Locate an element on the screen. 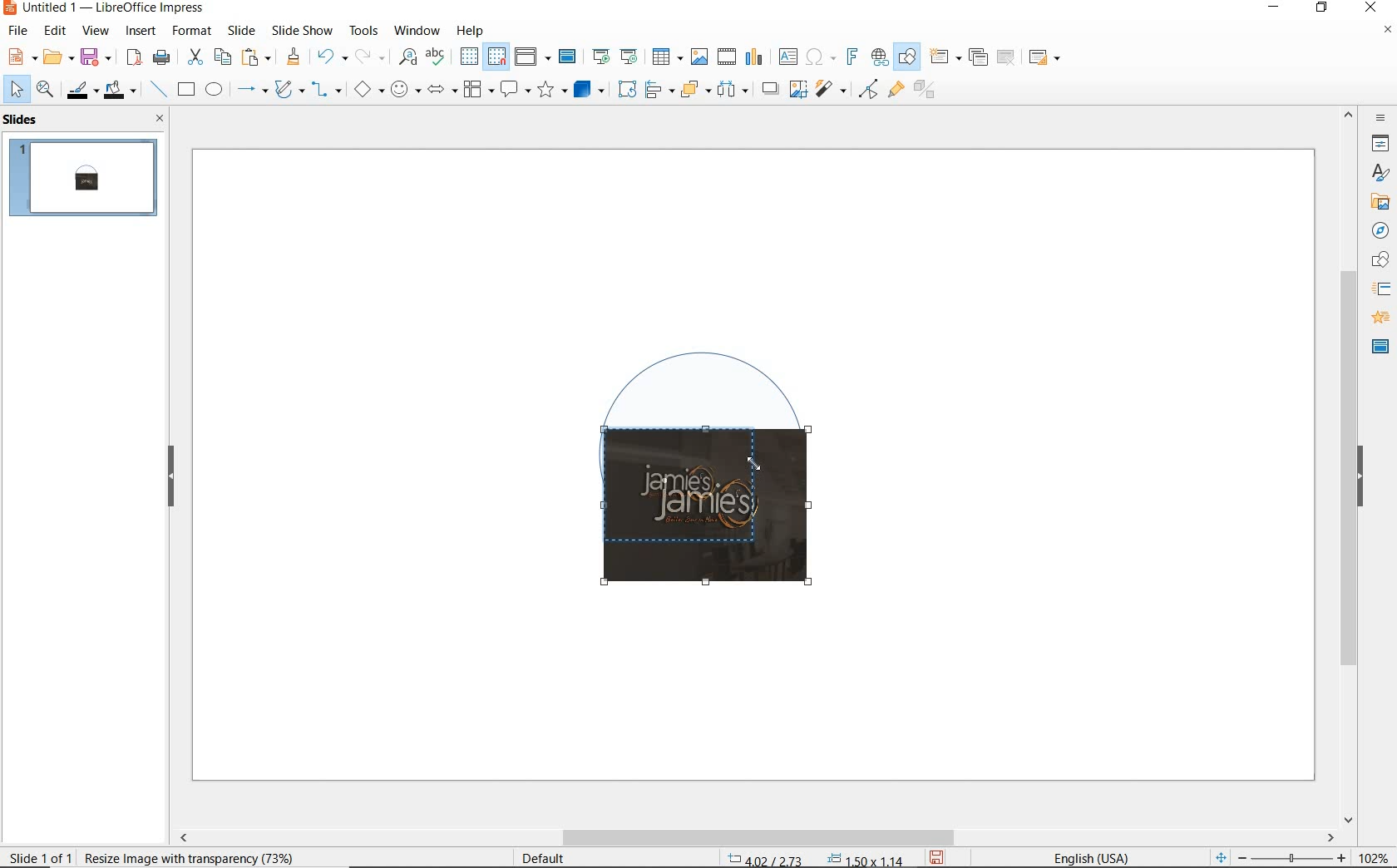 Image resolution: width=1397 pixels, height=868 pixels. animation is located at coordinates (1378, 318).